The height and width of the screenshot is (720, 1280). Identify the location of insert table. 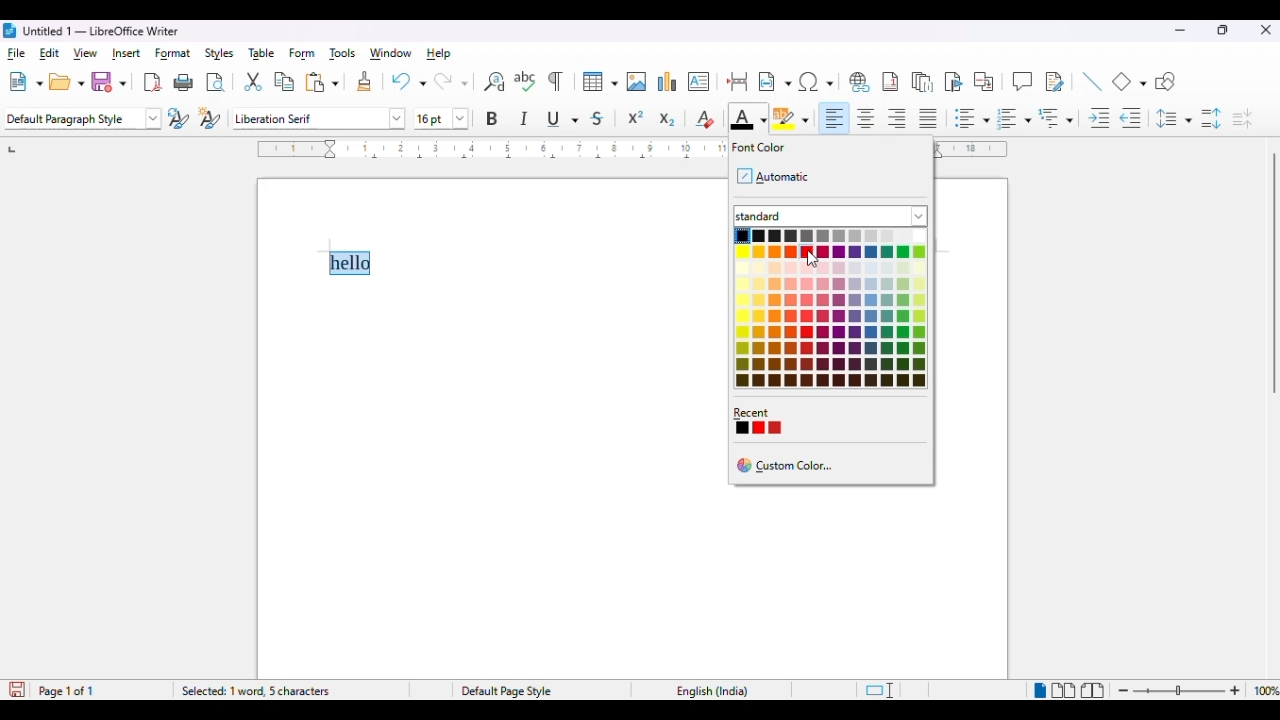
(600, 82).